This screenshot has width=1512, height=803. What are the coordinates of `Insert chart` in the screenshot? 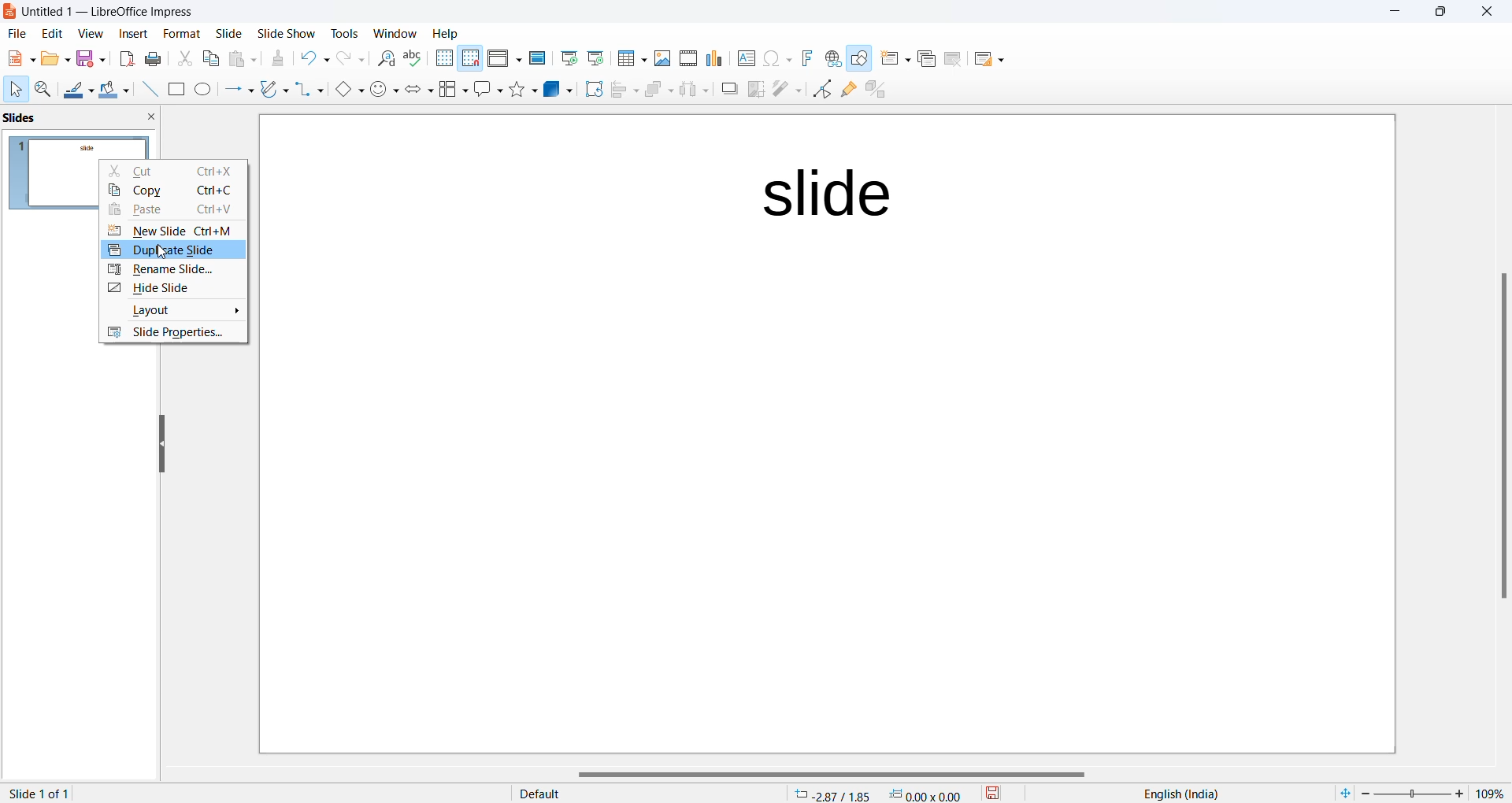 It's located at (711, 58).